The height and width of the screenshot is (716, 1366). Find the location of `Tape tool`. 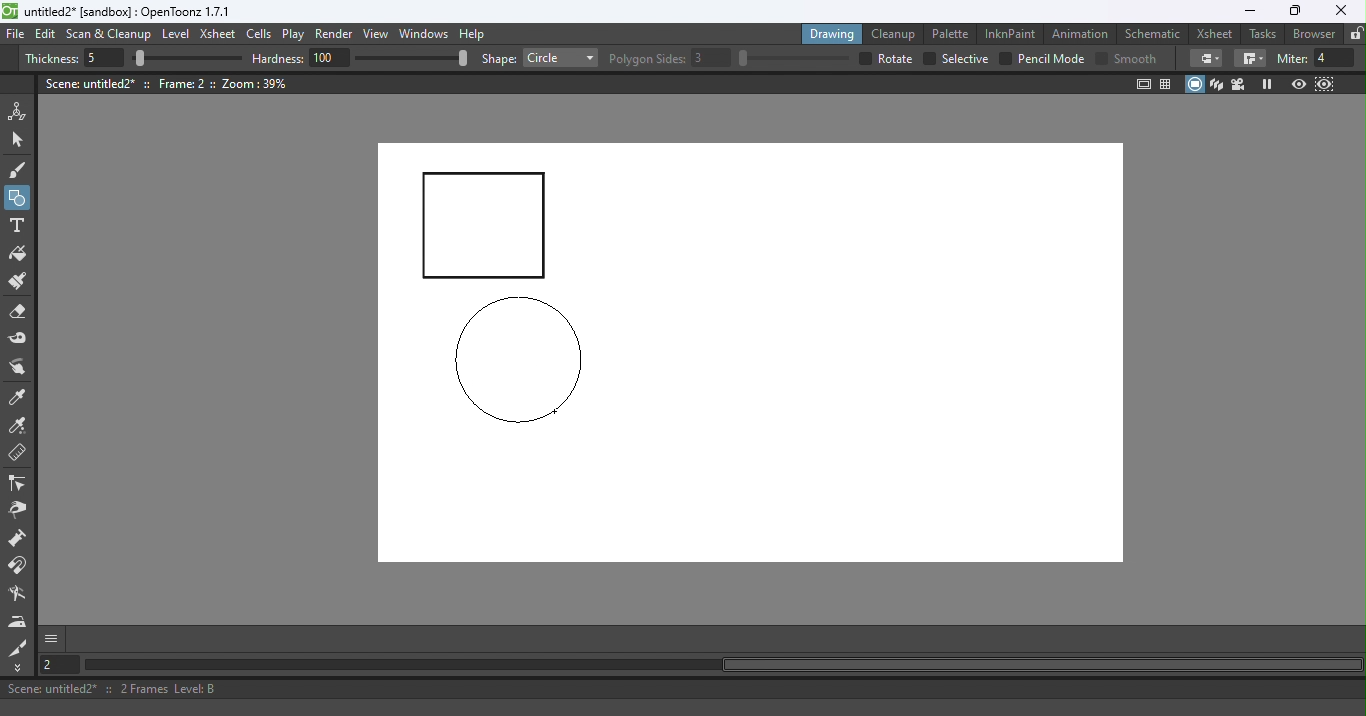

Tape tool is located at coordinates (21, 340).